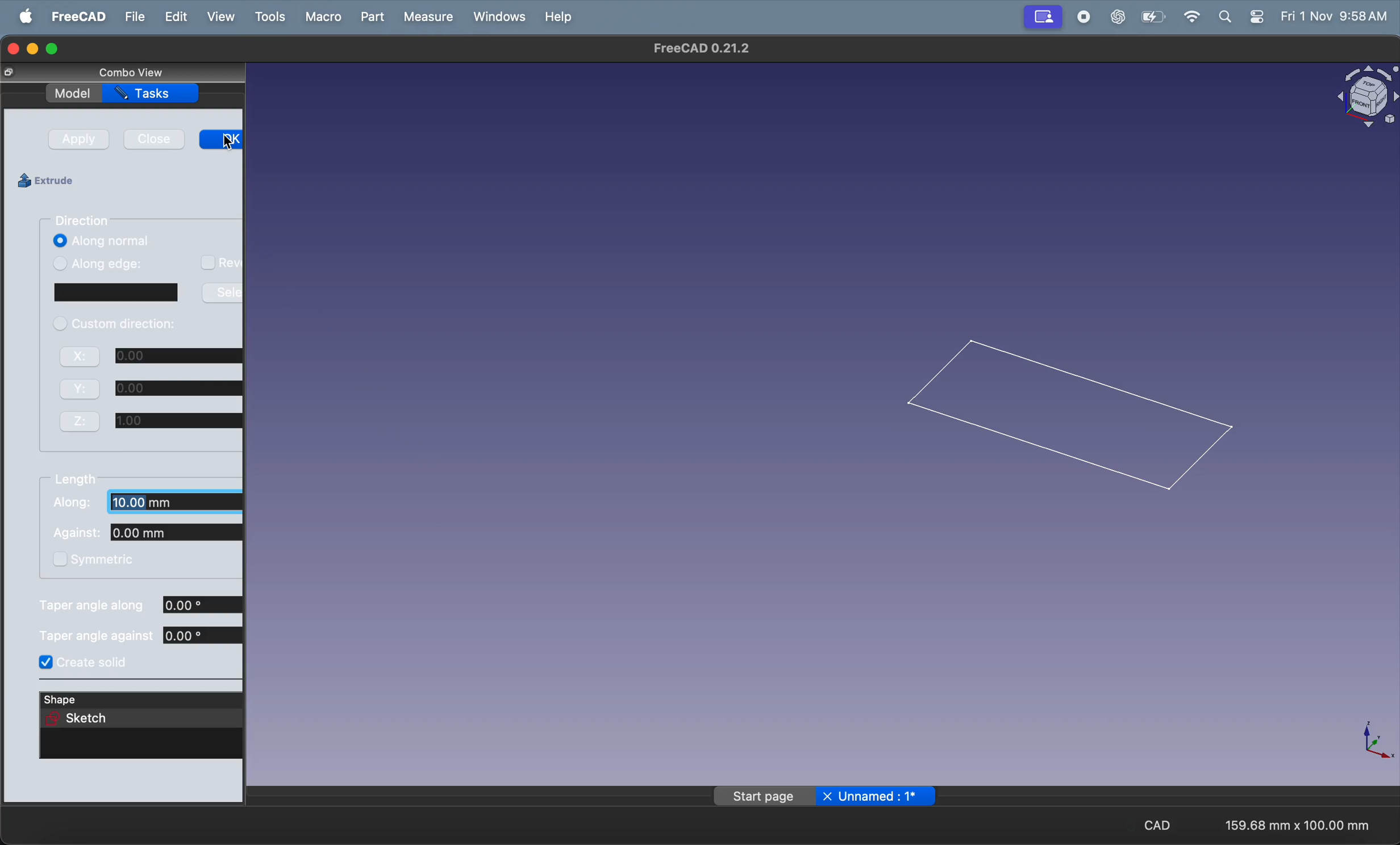  What do you see at coordinates (149, 533) in the screenshot?
I see `against` at bounding box center [149, 533].